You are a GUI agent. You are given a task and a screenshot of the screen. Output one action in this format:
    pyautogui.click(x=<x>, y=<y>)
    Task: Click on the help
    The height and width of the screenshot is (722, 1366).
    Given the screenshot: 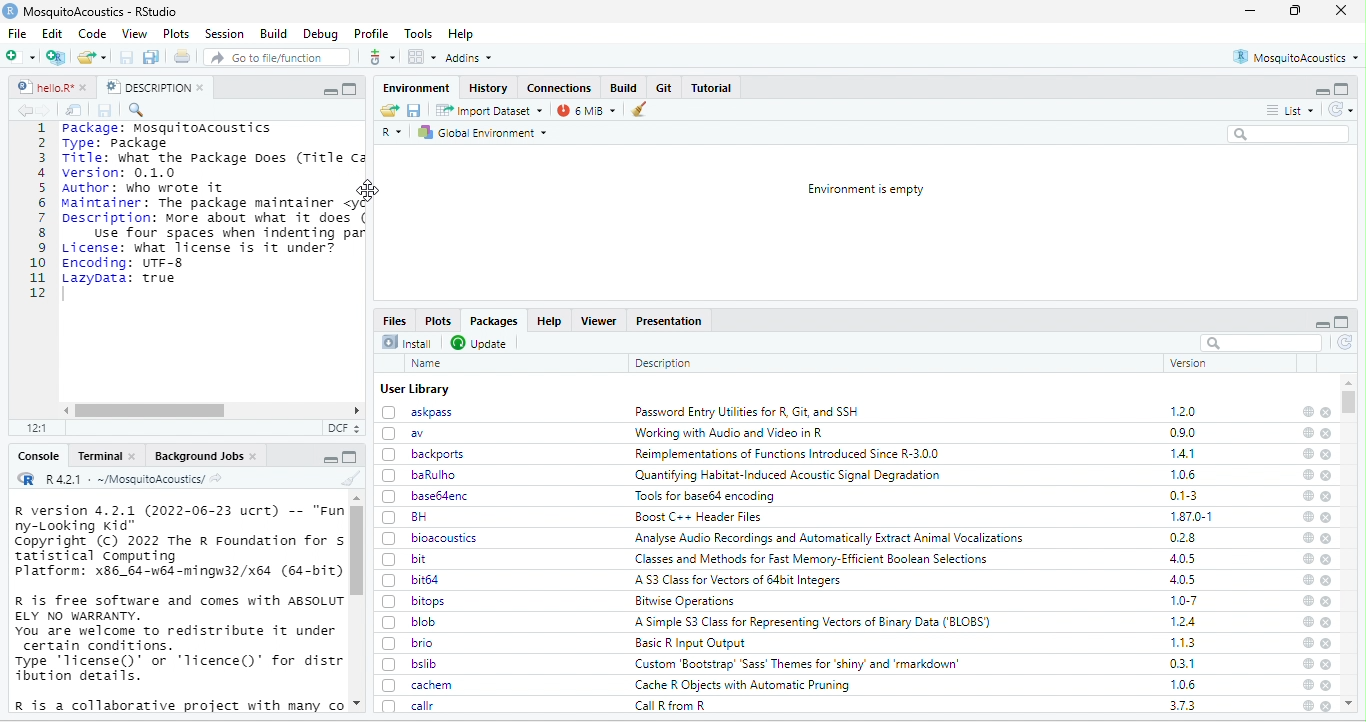 What is the action you would take?
    pyautogui.click(x=1307, y=601)
    